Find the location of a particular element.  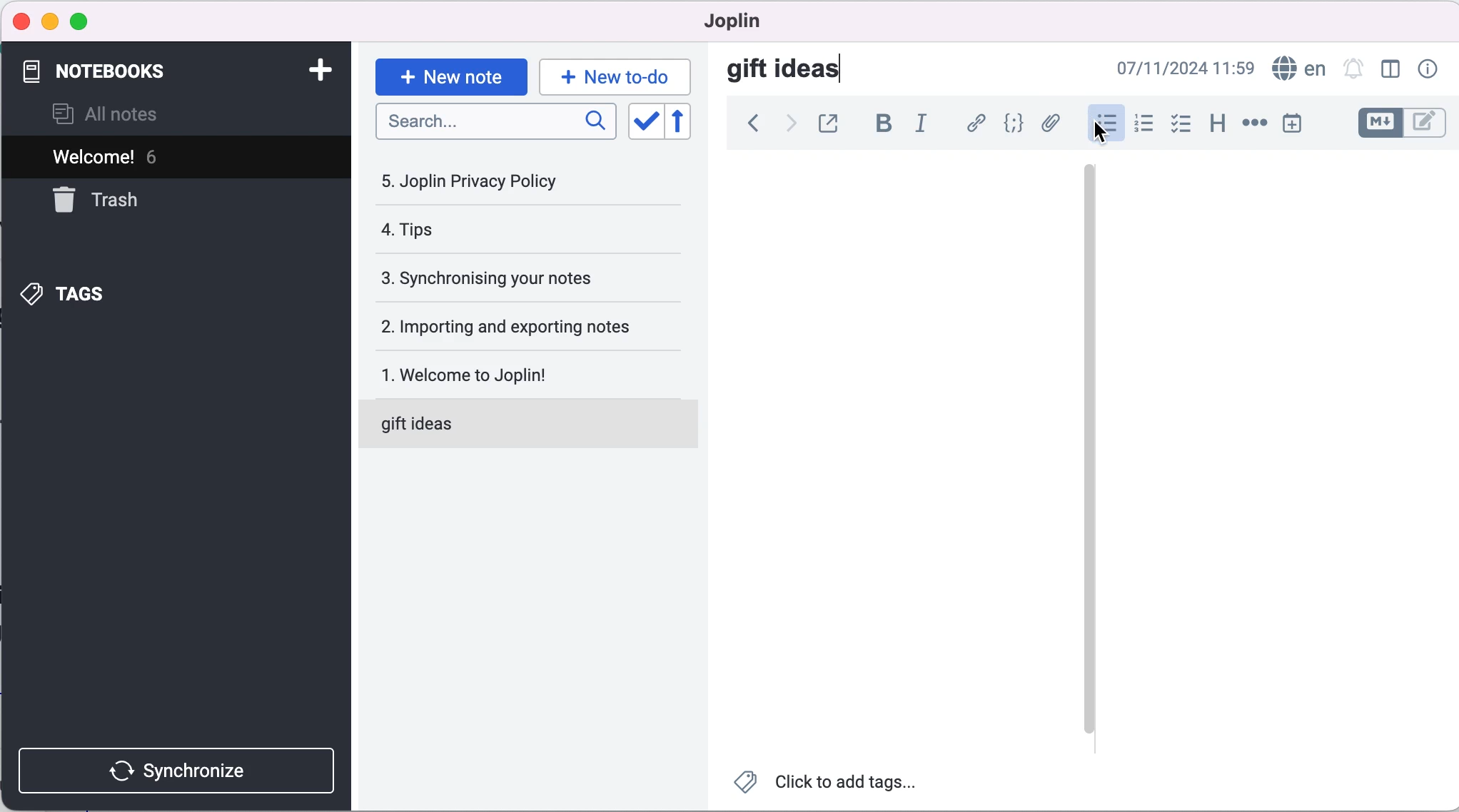

toggle sort order field is located at coordinates (642, 121).